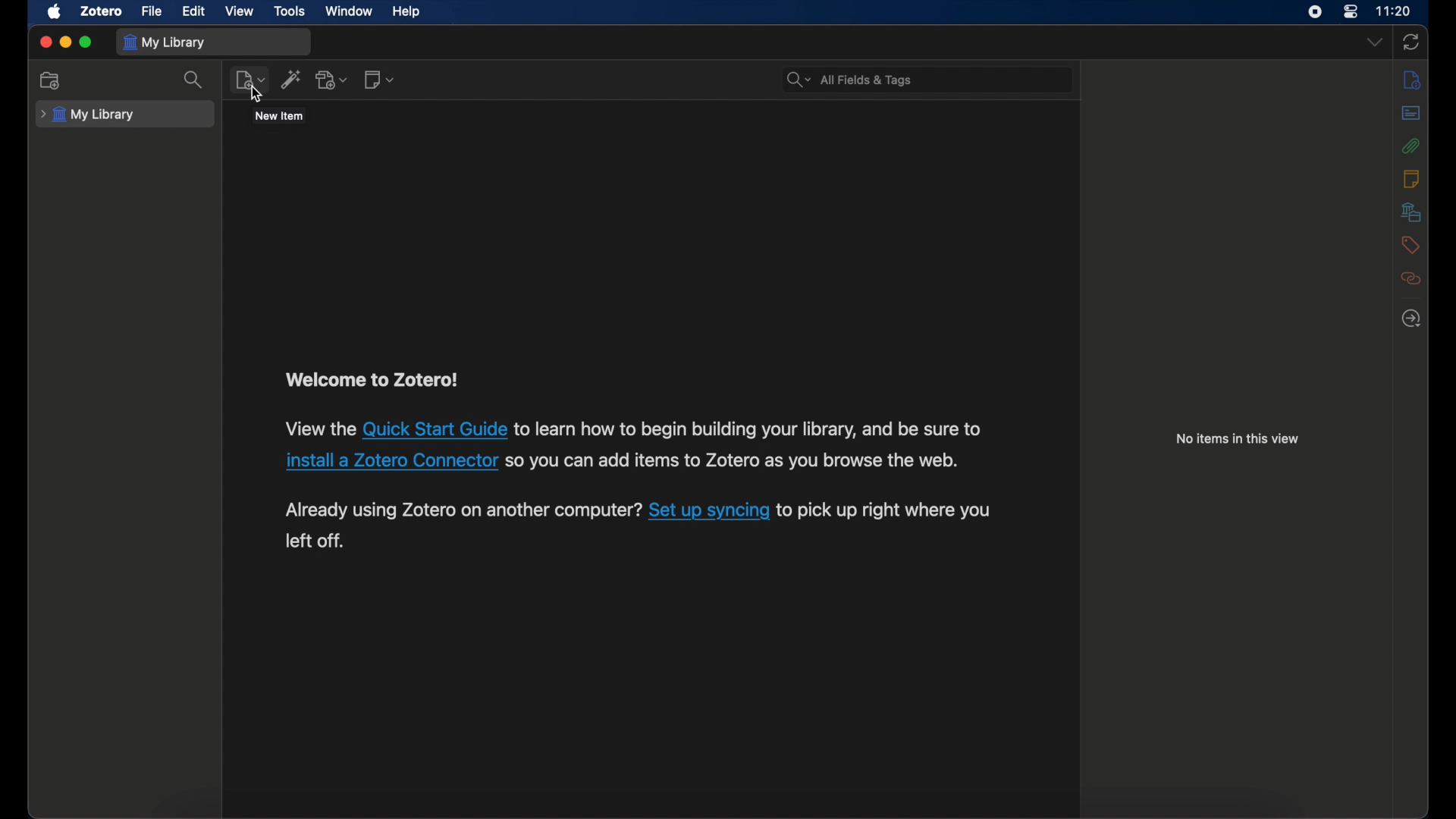  I want to click on Welcome to Zotero!

View the Quick Start Guide to learn how to begin building your library, and be sure to
install a Zotero Connector so you can add items to Zotero as you browse the web.
Already using Zotero on another computer? Set up syncing to pick up right where you
left off., so click(652, 467).